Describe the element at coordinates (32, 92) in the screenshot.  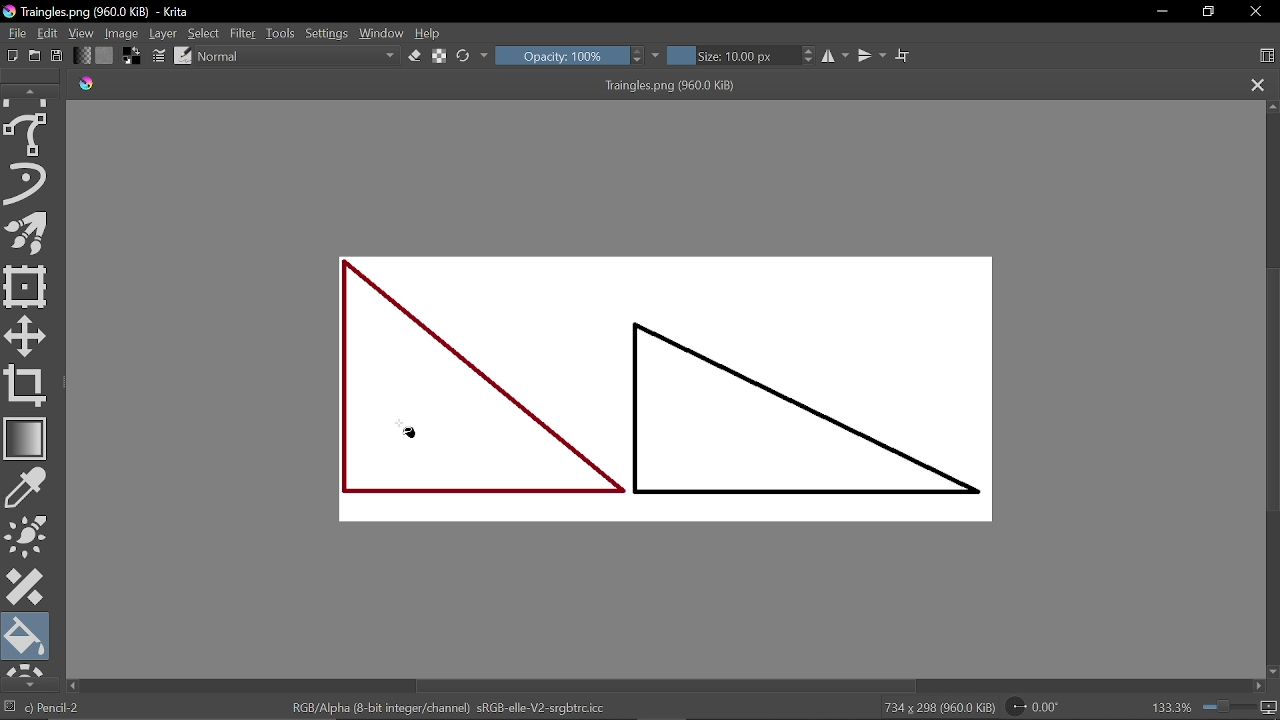
I see `Move up in tools` at that location.